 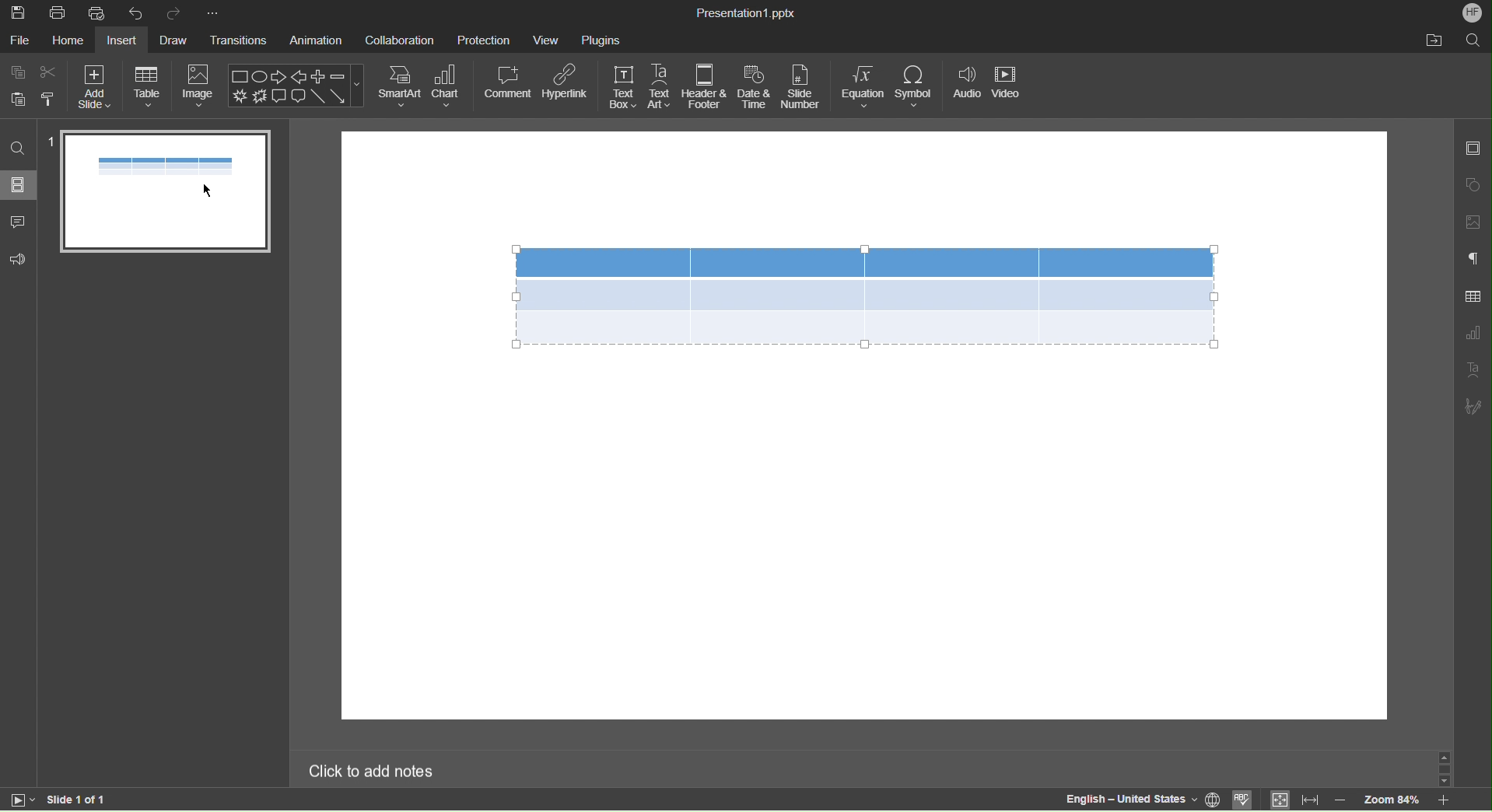 I want to click on Add Slide, so click(x=94, y=88).